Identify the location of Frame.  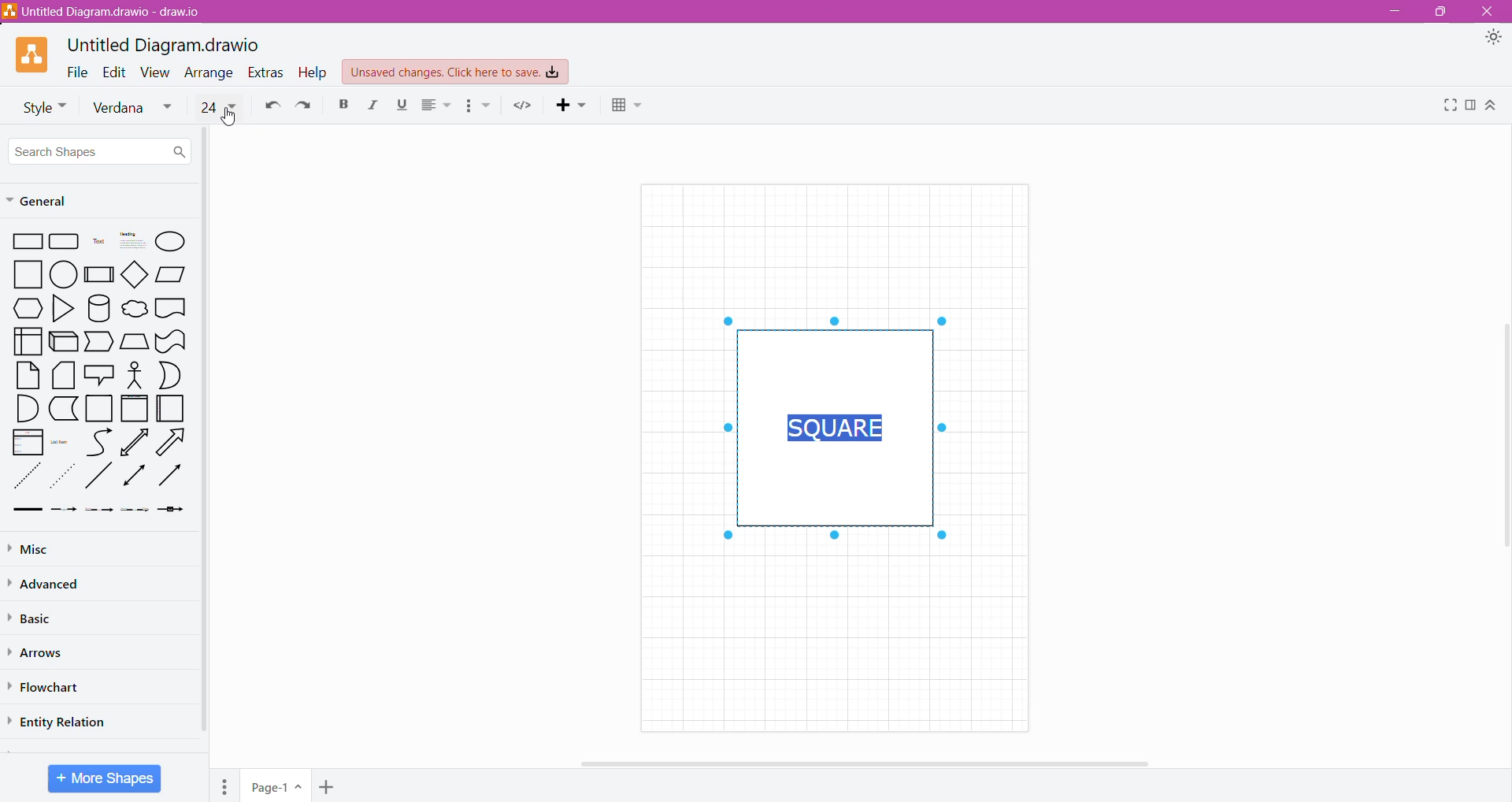
(135, 408).